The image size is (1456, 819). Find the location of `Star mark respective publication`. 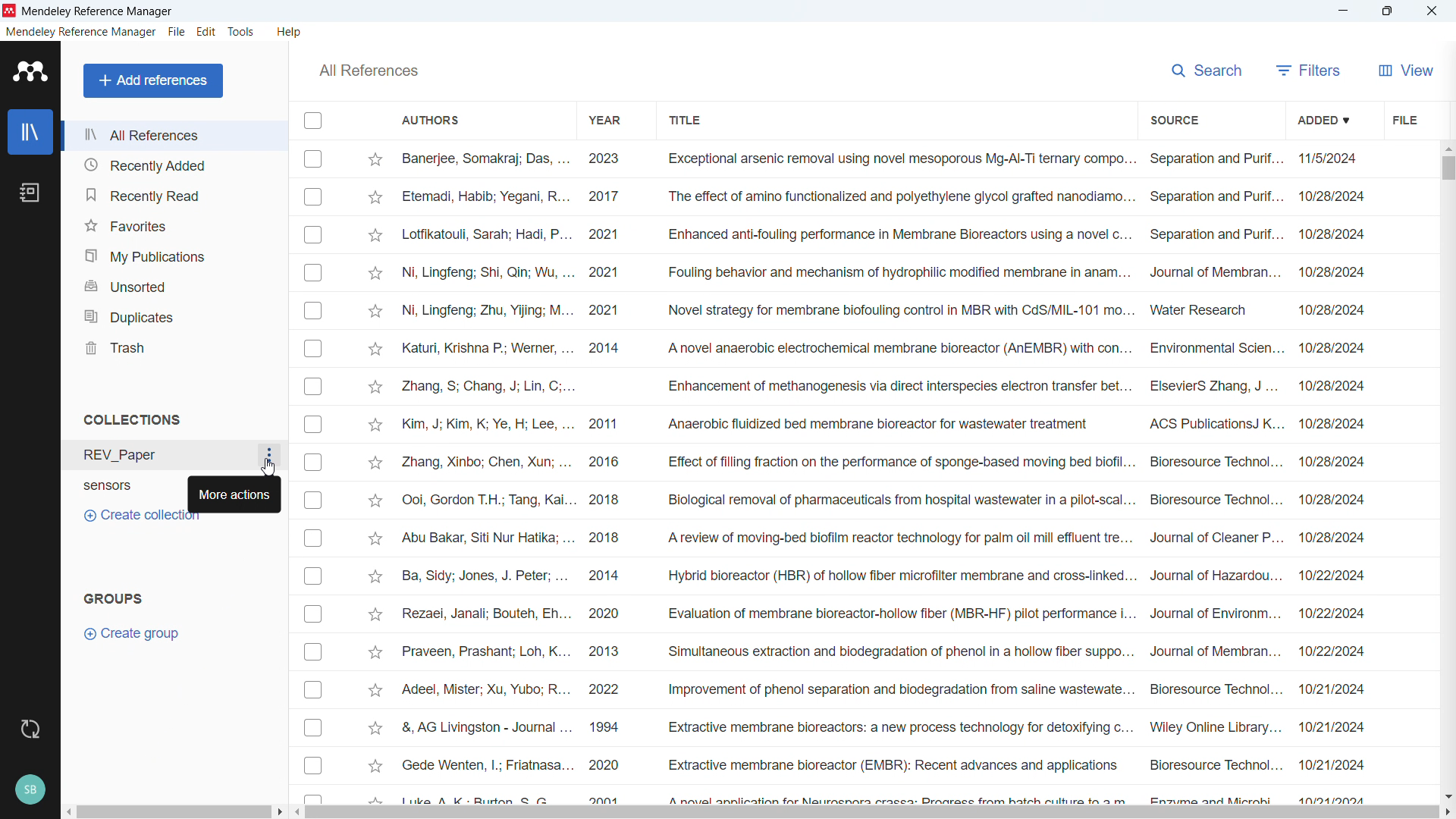

Star mark respective publication is located at coordinates (376, 349).